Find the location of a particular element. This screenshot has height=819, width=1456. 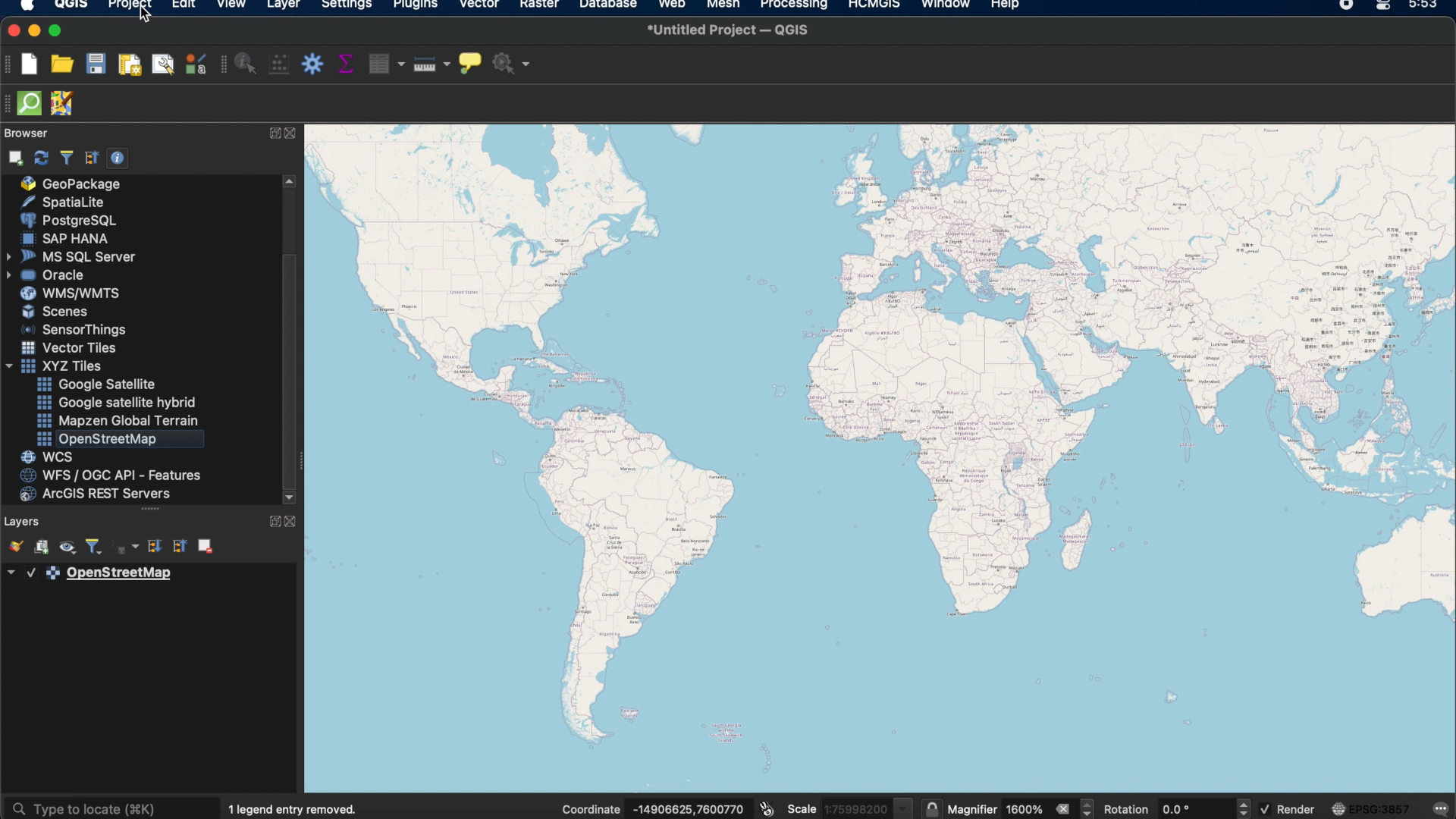

rotation is located at coordinates (1177, 807).